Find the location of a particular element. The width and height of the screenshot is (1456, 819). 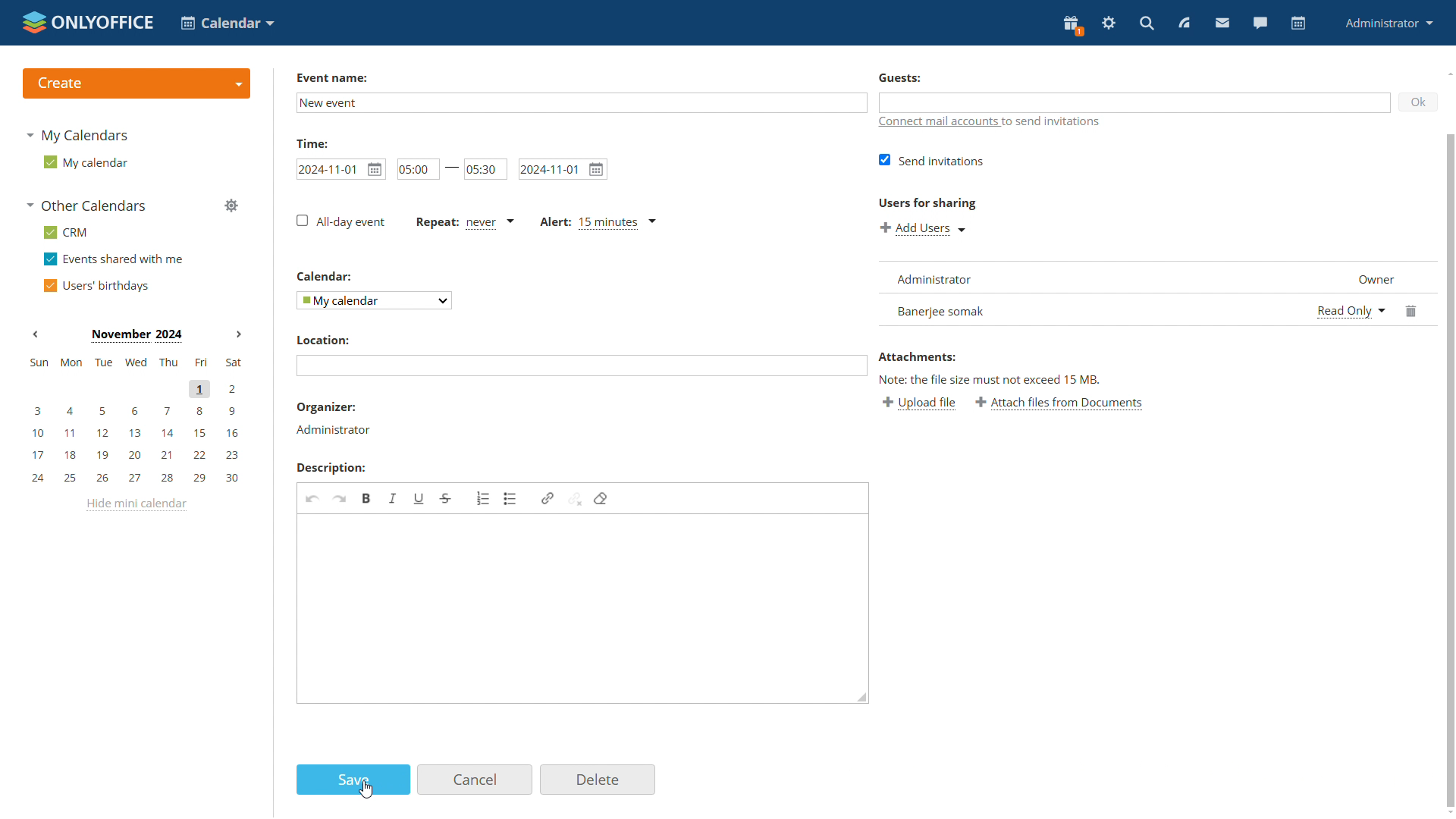

Delete user is located at coordinates (1412, 311).